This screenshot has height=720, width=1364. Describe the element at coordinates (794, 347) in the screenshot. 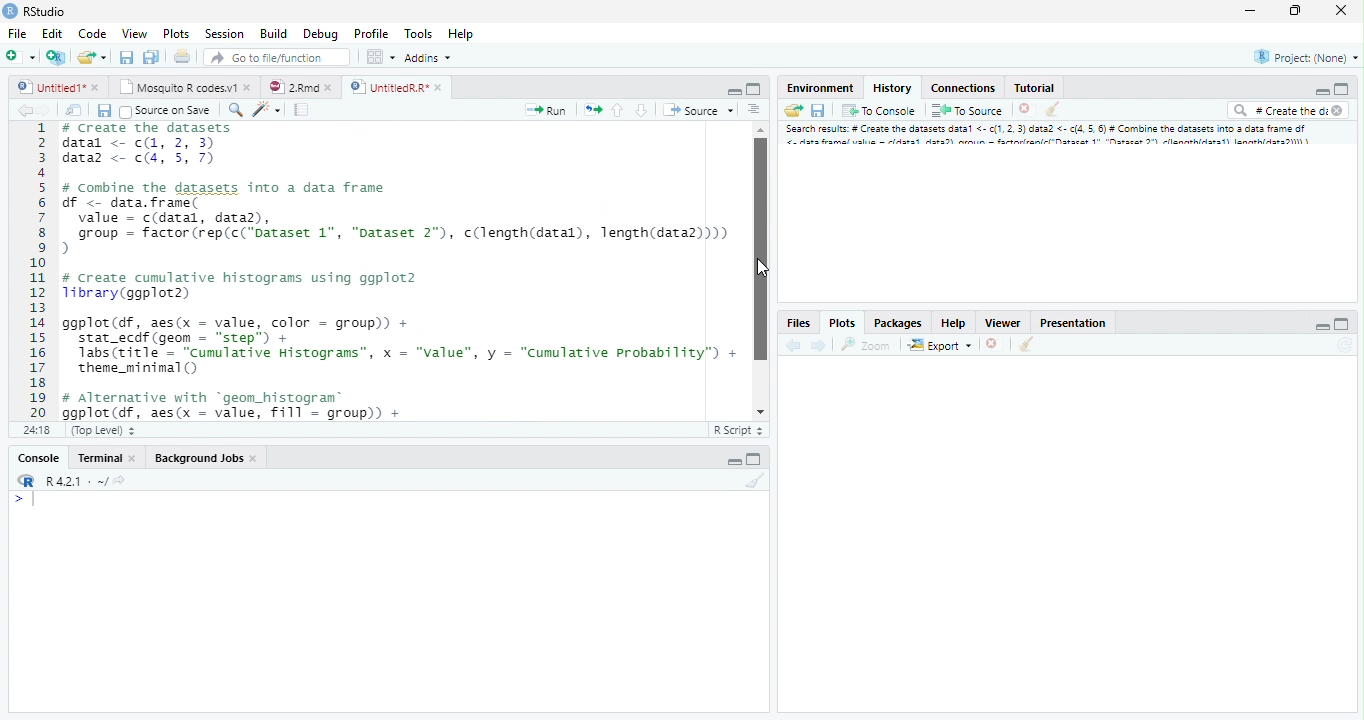

I see `back` at that location.